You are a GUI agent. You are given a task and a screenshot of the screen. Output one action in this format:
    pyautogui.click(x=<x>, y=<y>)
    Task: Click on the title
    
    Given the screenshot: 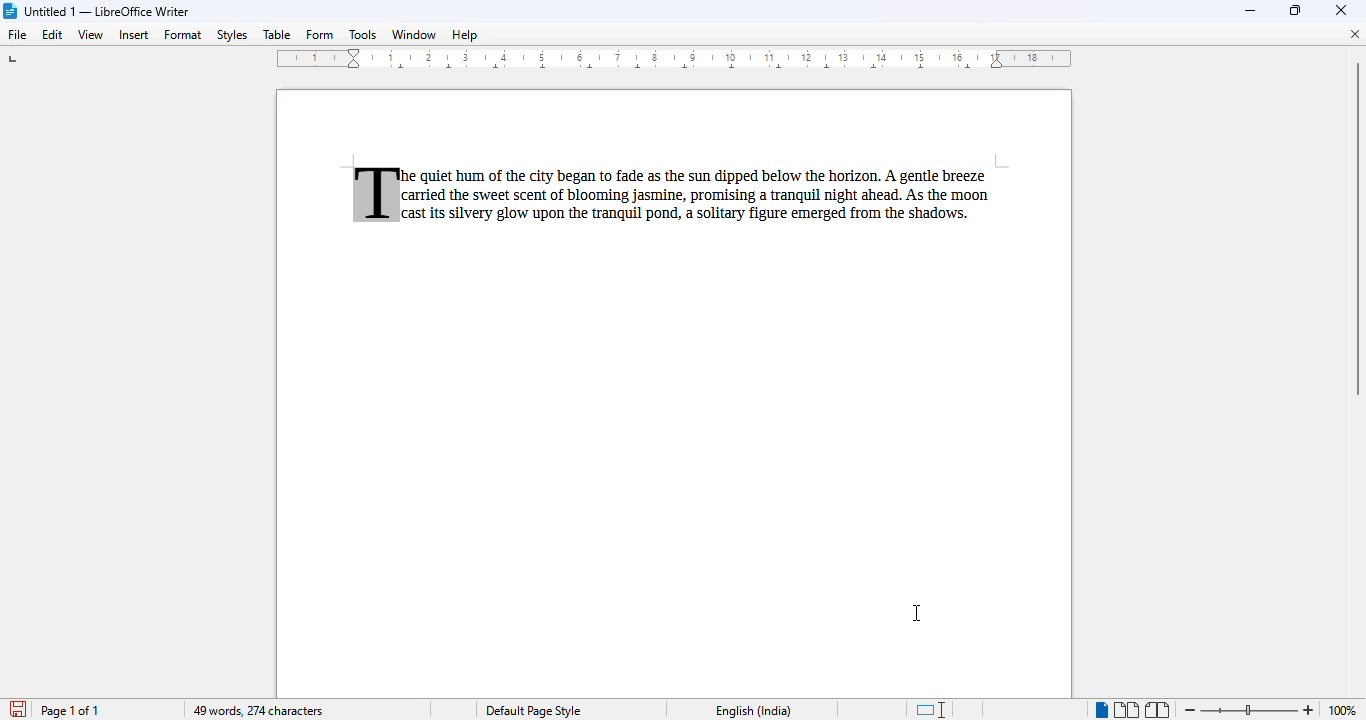 What is the action you would take?
    pyautogui.click(x=107, y=11)
    